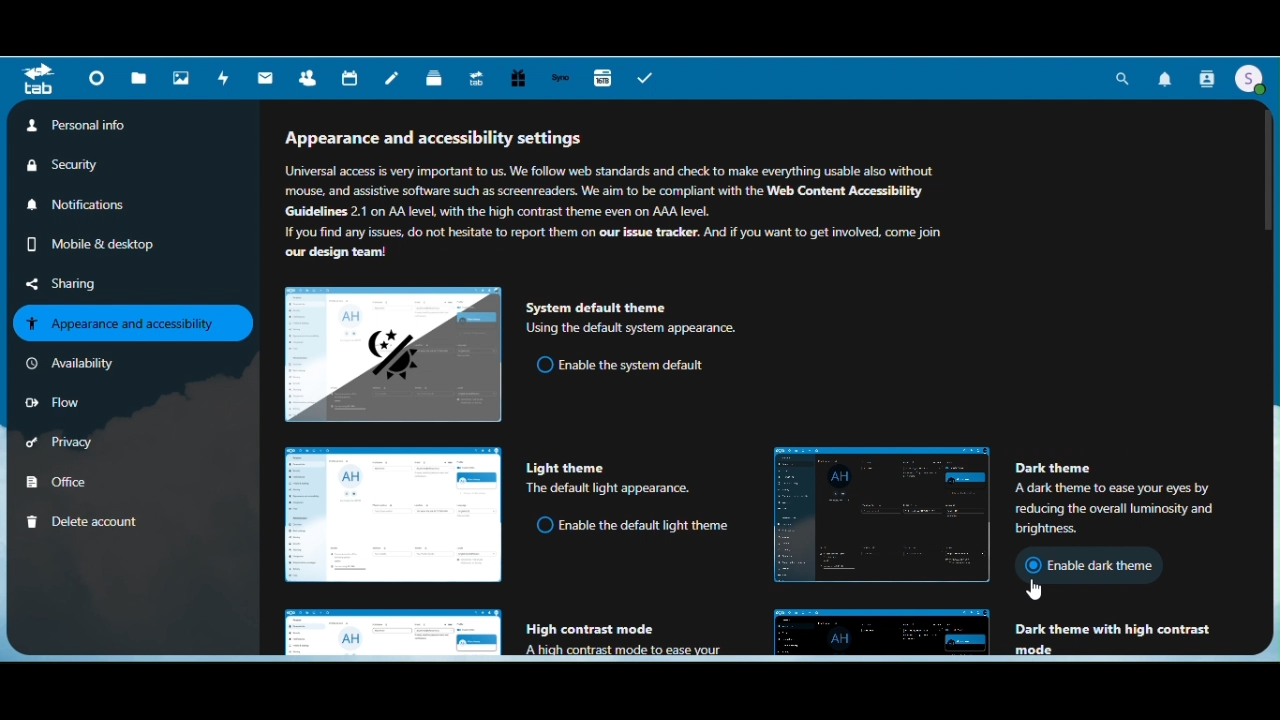 The height and width of the screenshot is (720, 1280). Describe the element at coordinates (93, 80) in the screenshot. I see `Dashboard` at that location.